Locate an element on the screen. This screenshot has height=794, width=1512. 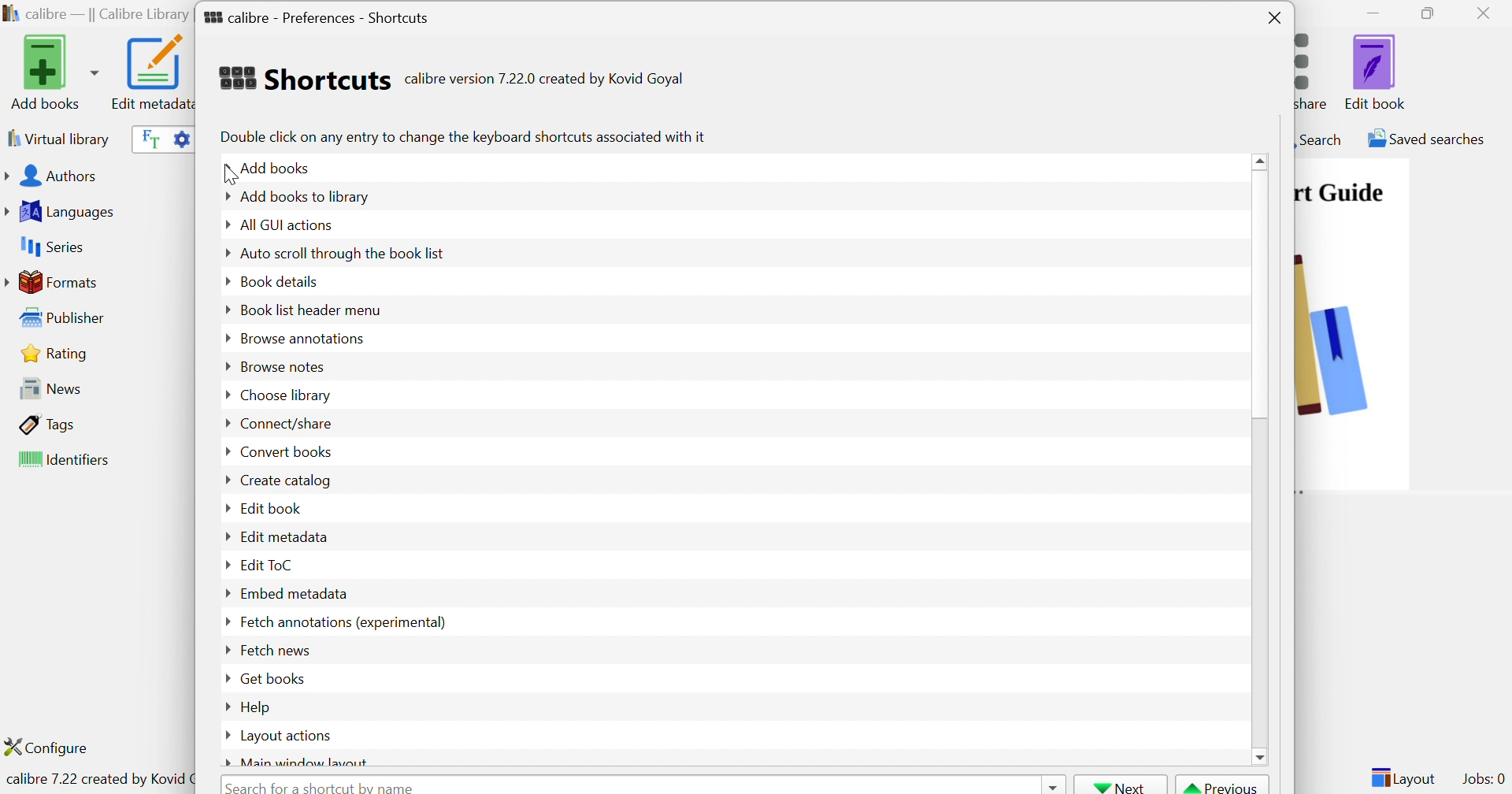
Minimize is located at coordinates (1373, 12).